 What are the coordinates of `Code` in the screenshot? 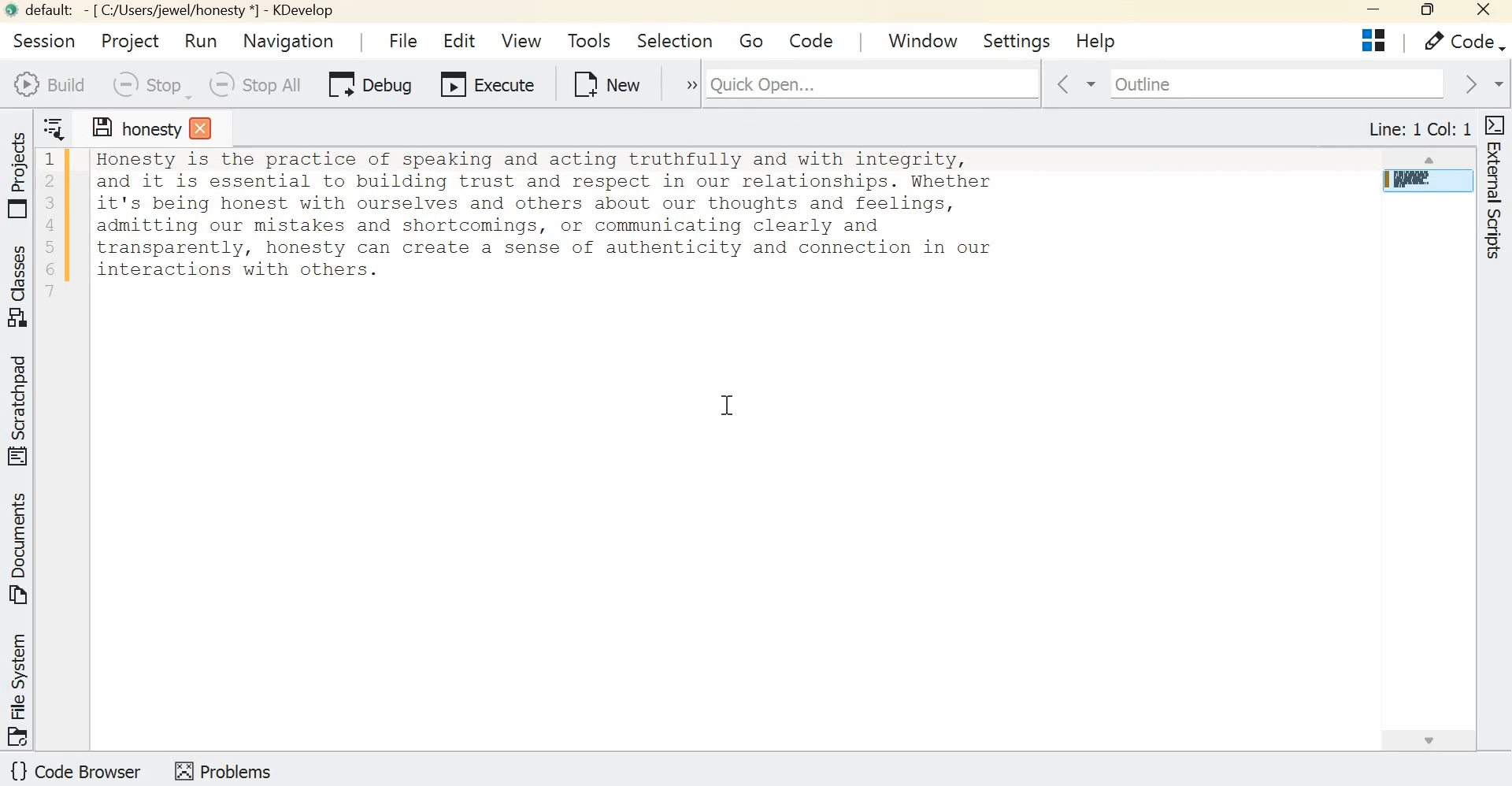 It's located at (815, 39).